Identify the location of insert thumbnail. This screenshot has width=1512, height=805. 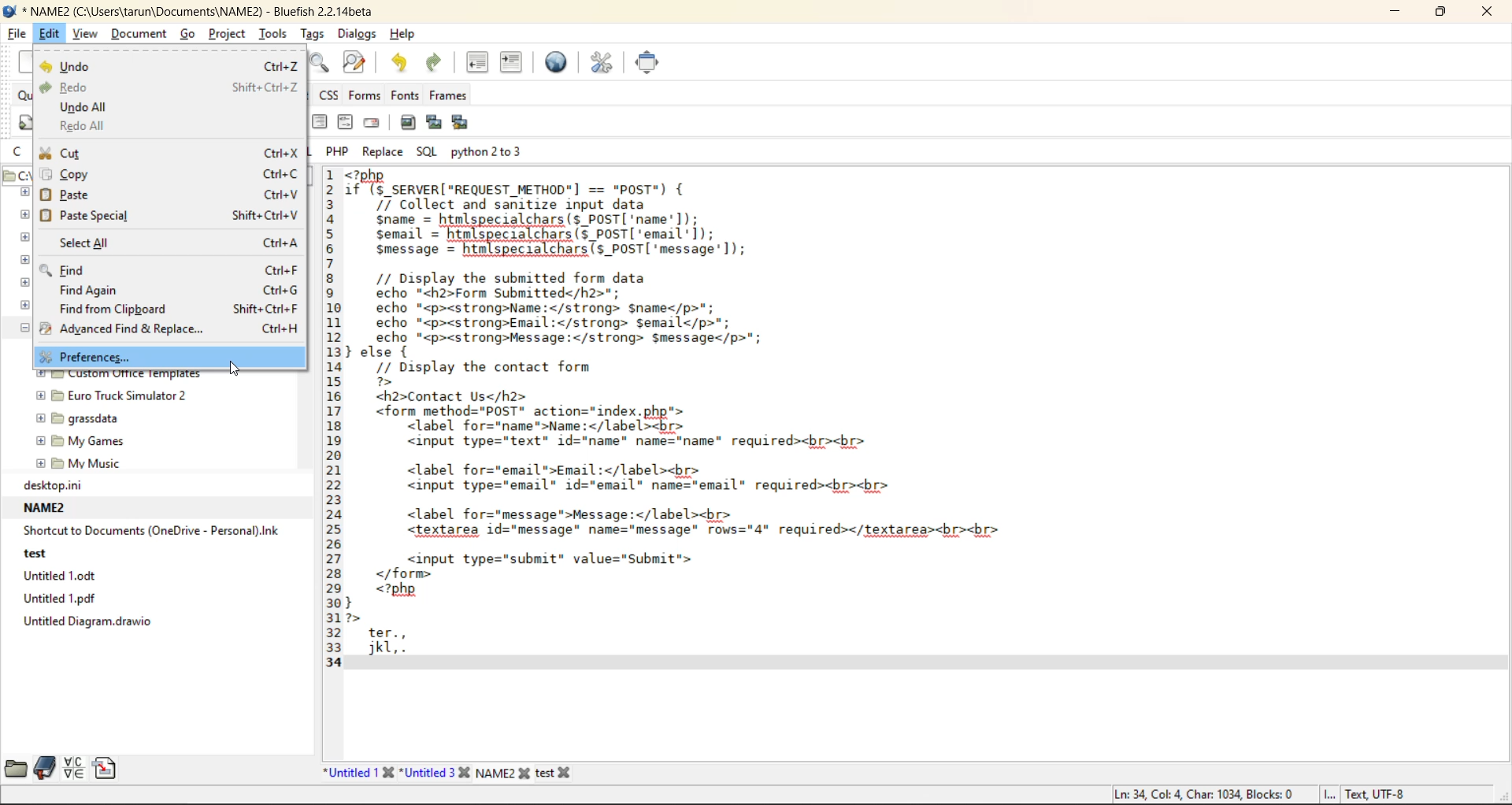
(433, 121).